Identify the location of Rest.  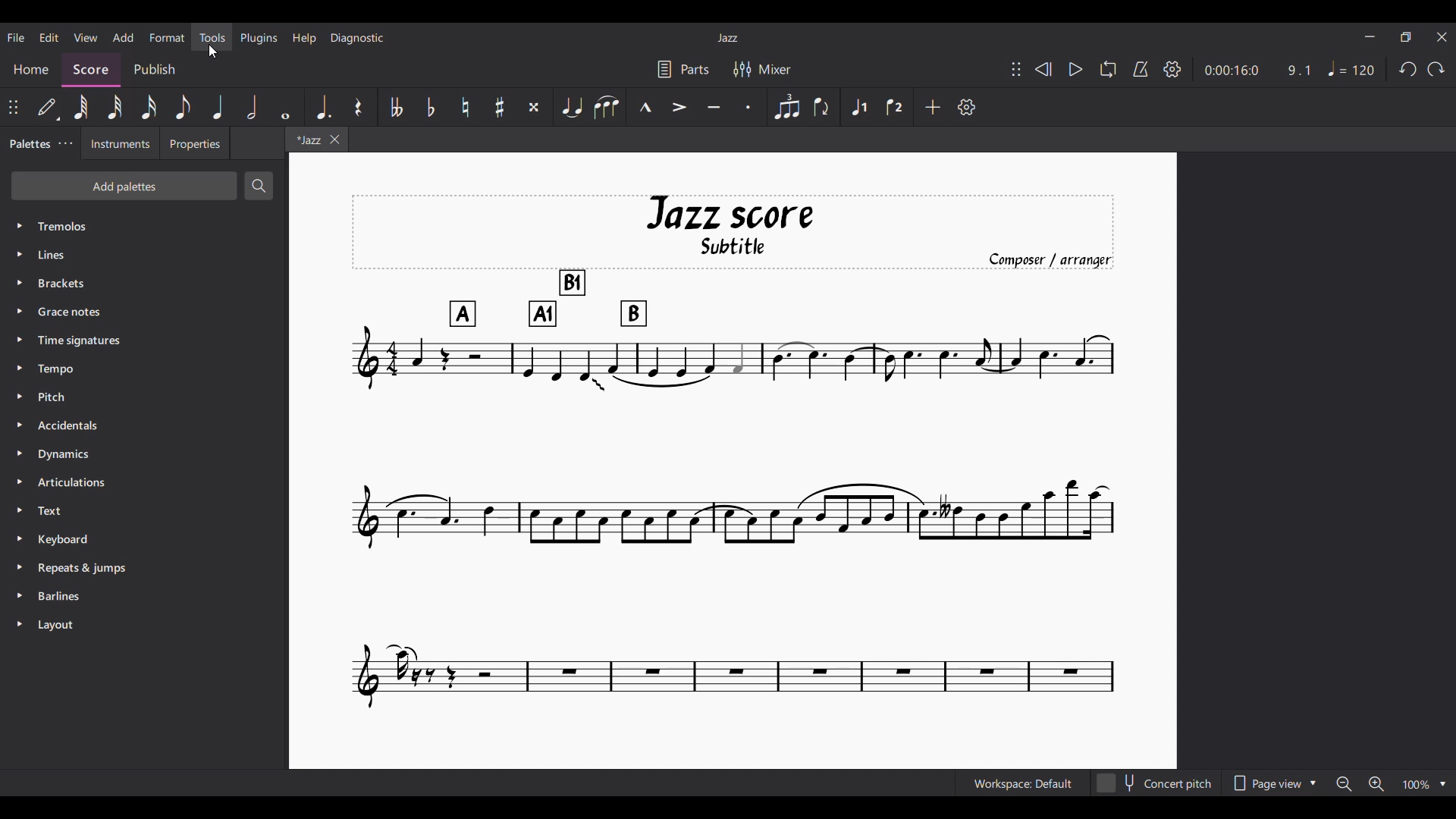
(360, 106).